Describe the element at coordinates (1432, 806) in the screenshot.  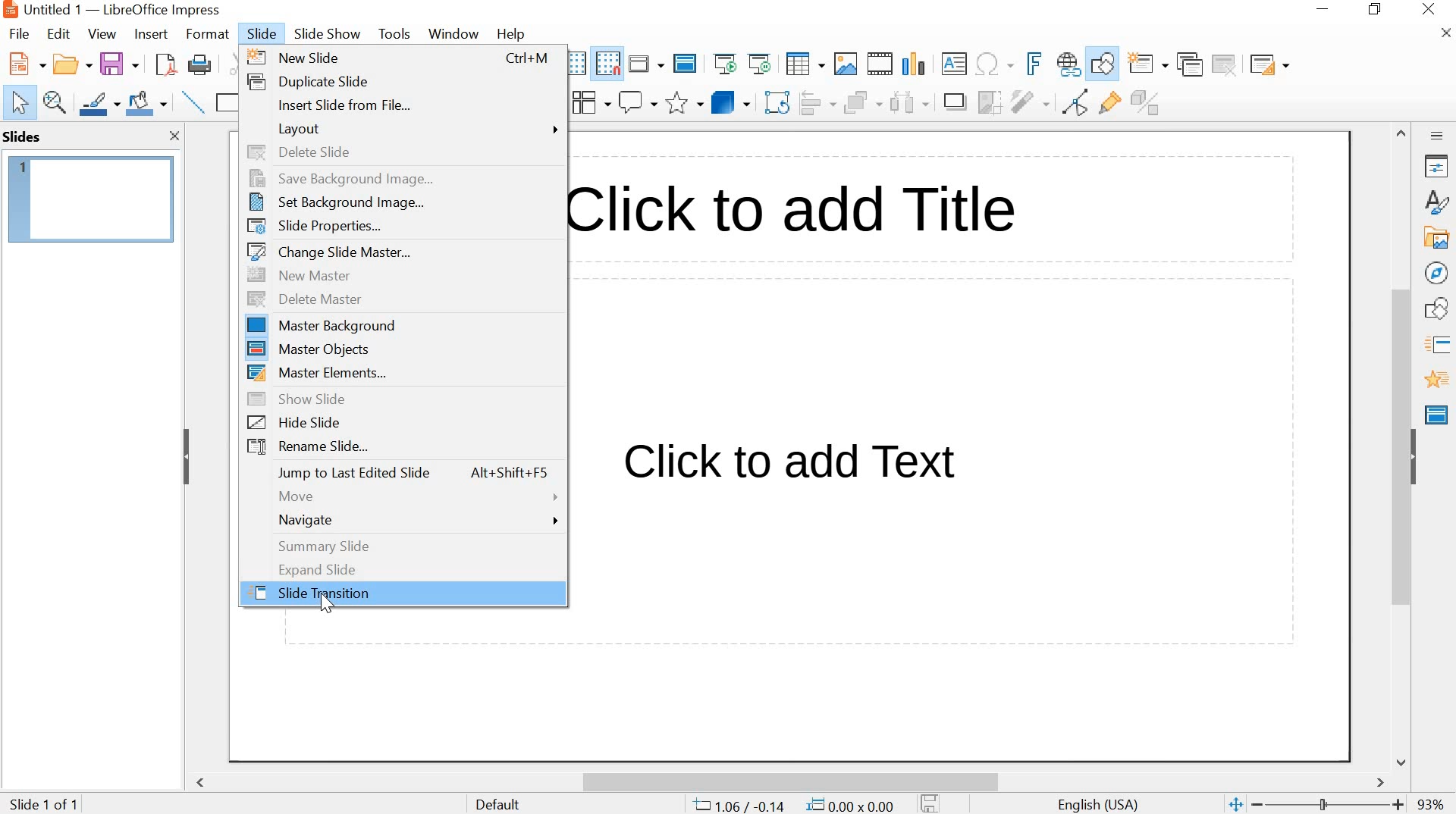
I see `ZOOM FACTOR` at that location.